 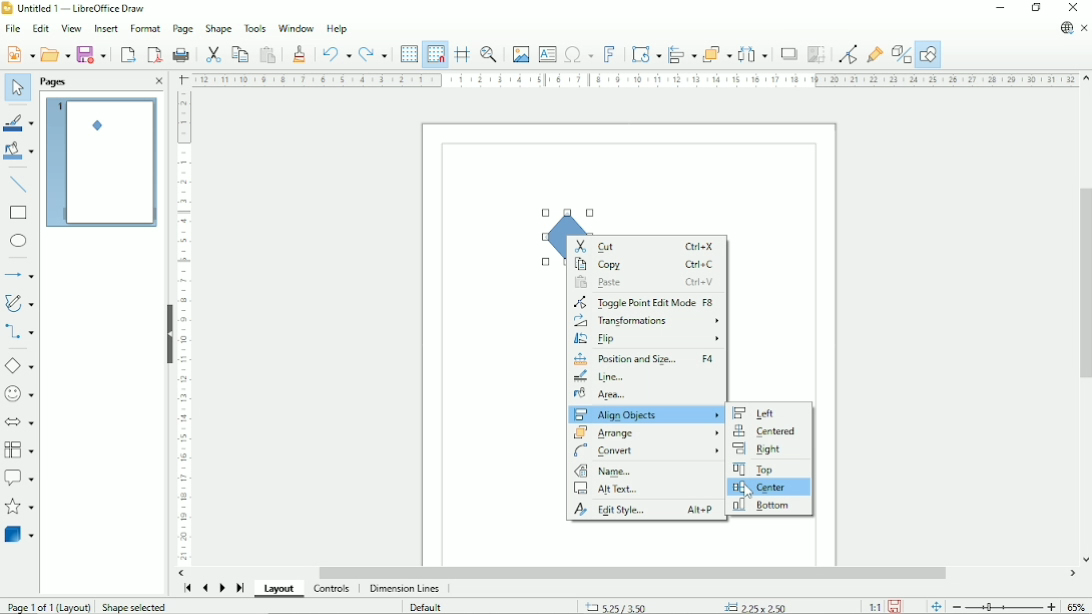 I want to click on Symbol shapes, so click(x=20, y=393).